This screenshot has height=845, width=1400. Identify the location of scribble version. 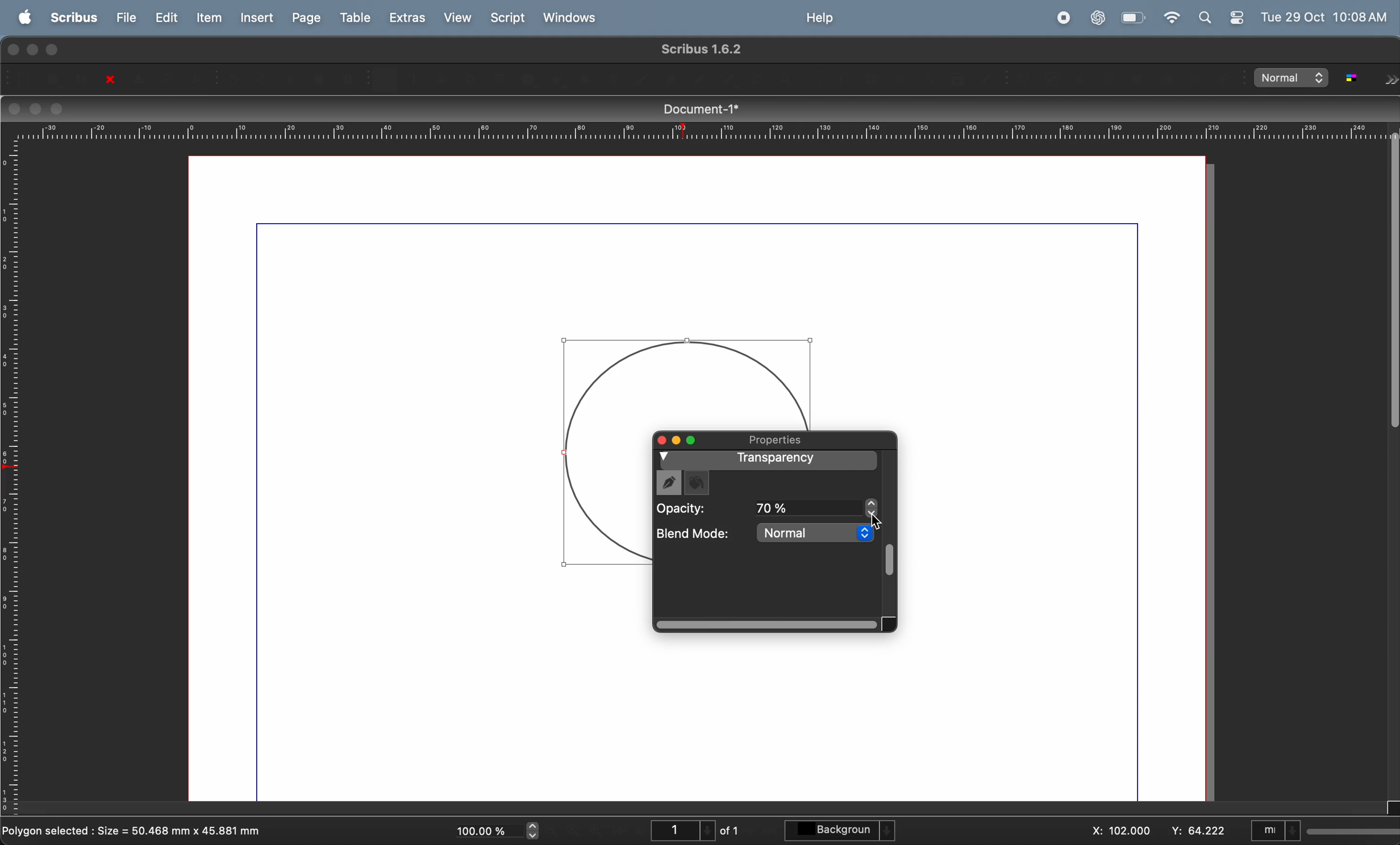
(699, 49).